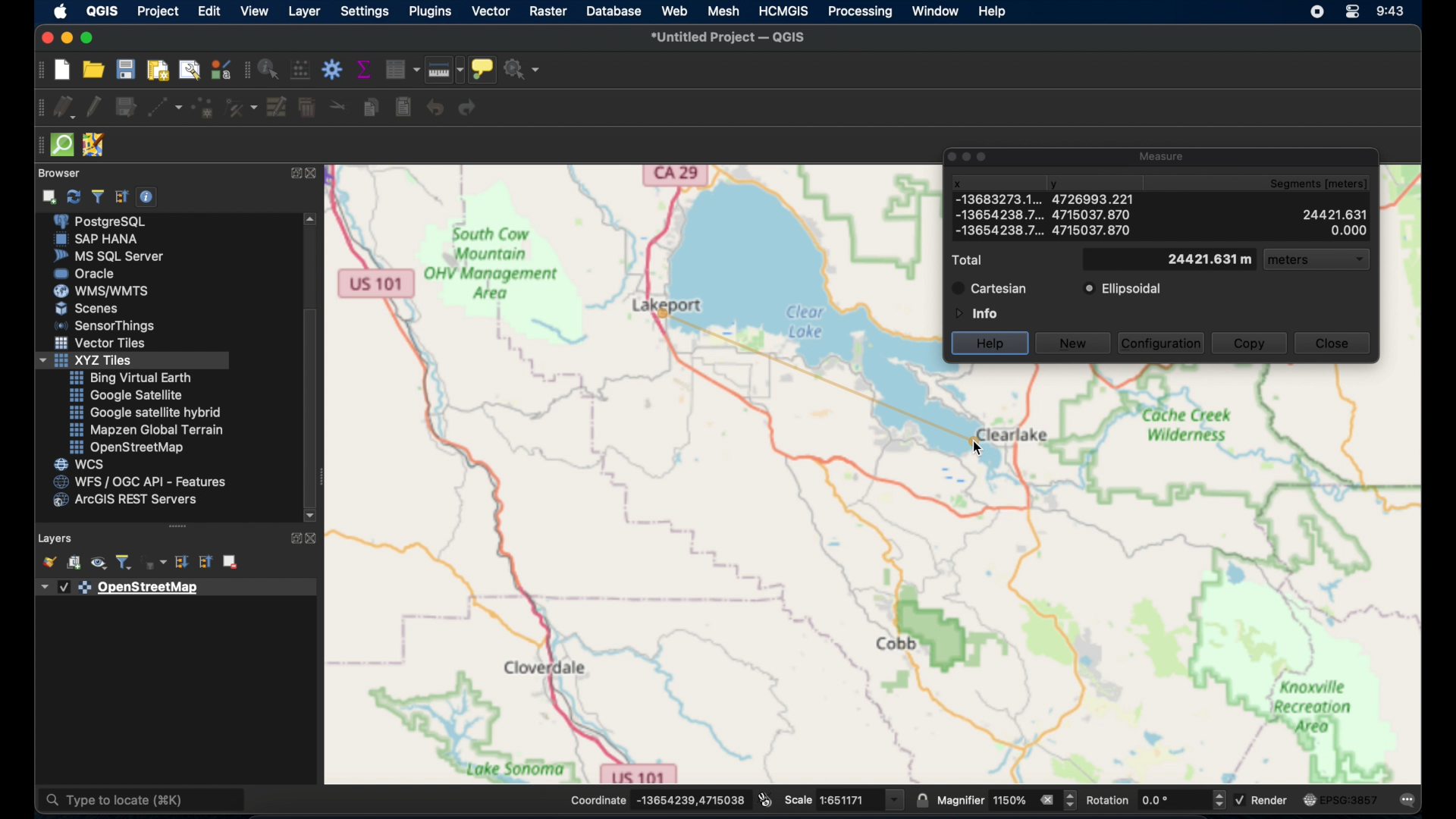  What do you see at coordinates (108, 325) in the screenshot?
I see `sensor things` at bounding box center [108, 325].